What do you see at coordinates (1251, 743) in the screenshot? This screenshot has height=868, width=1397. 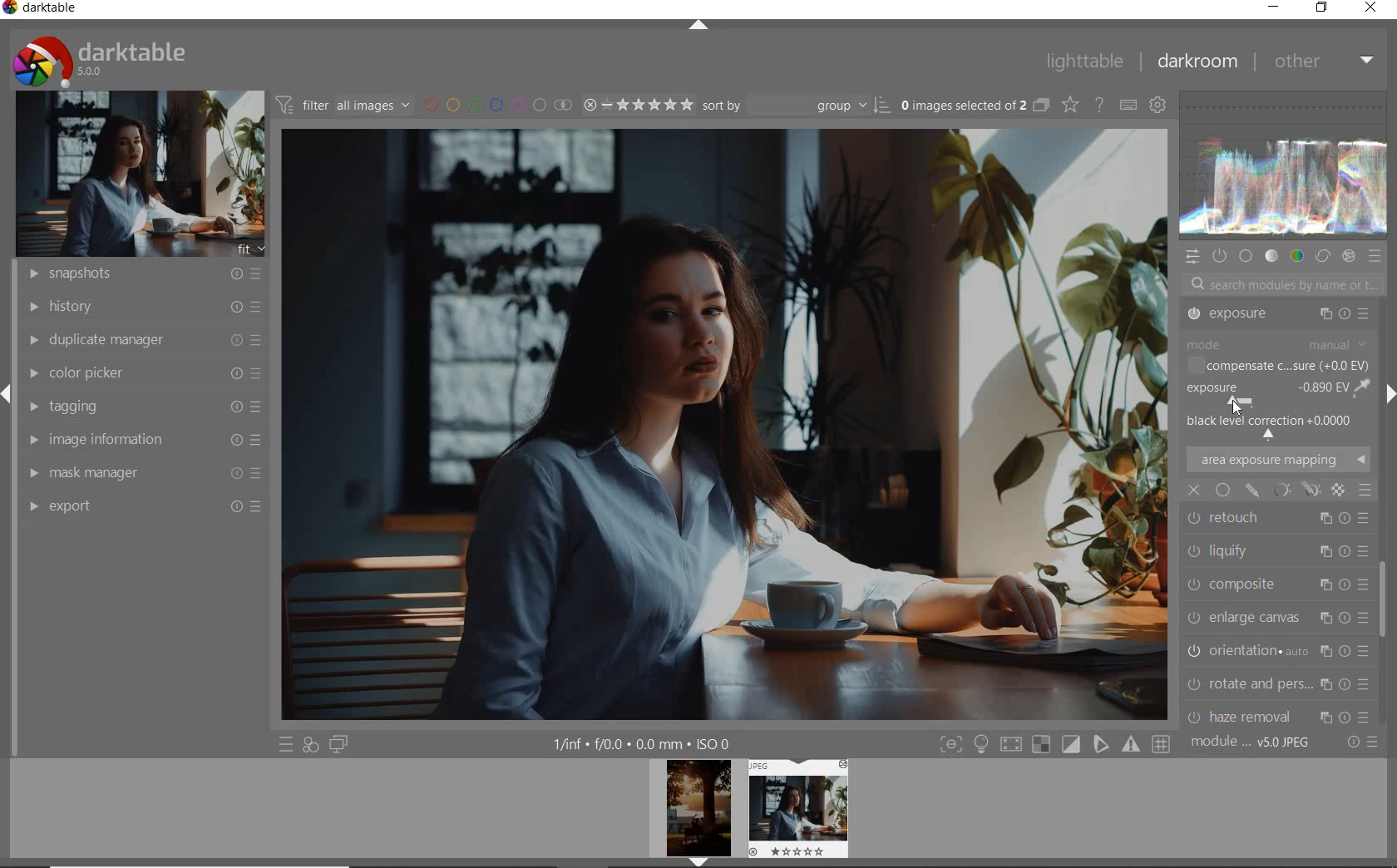 I see `MODULE ORDER` at bounding box center [1251, 743].